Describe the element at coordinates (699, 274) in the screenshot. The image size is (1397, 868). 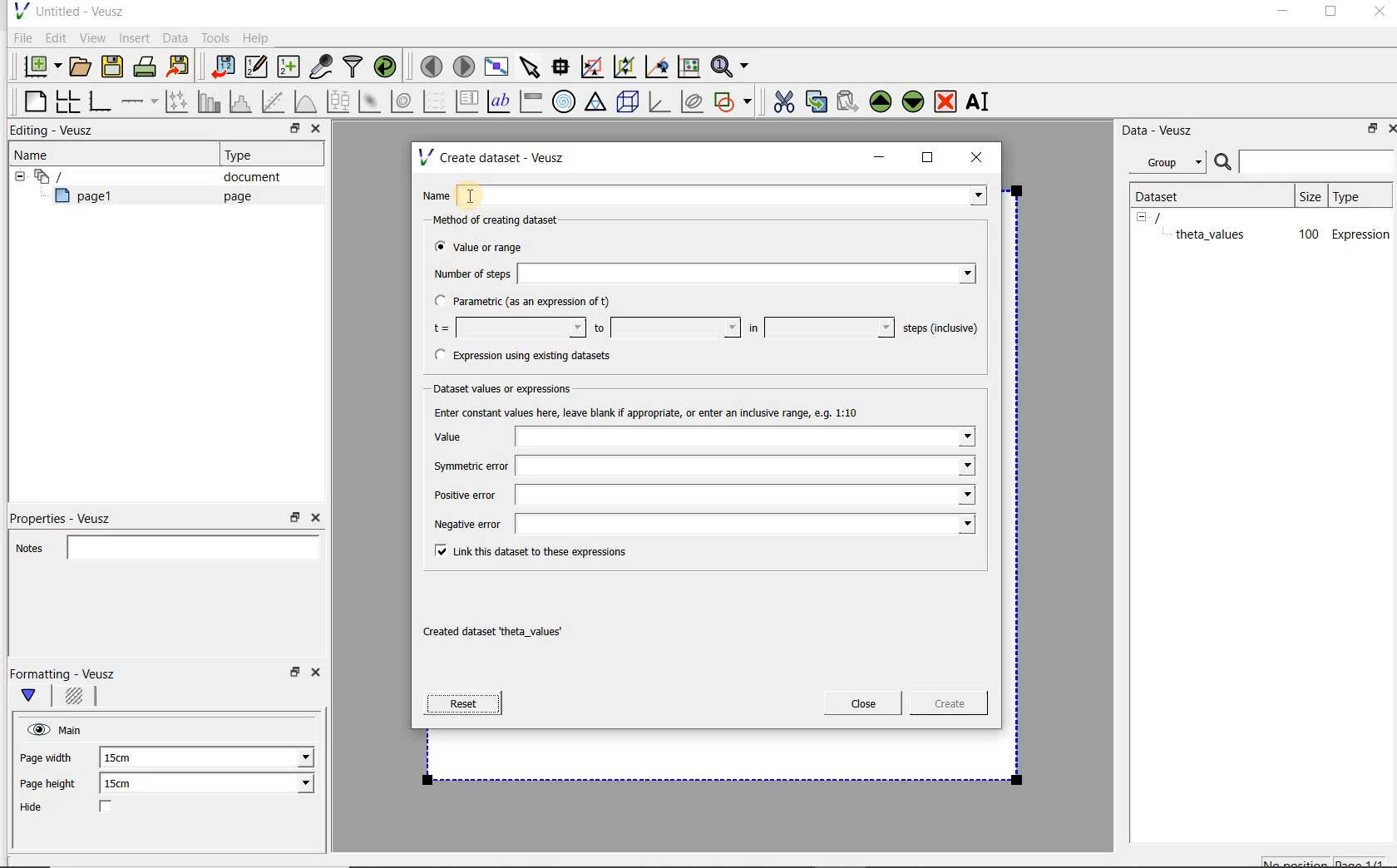
I see `Number of steps` at that location.